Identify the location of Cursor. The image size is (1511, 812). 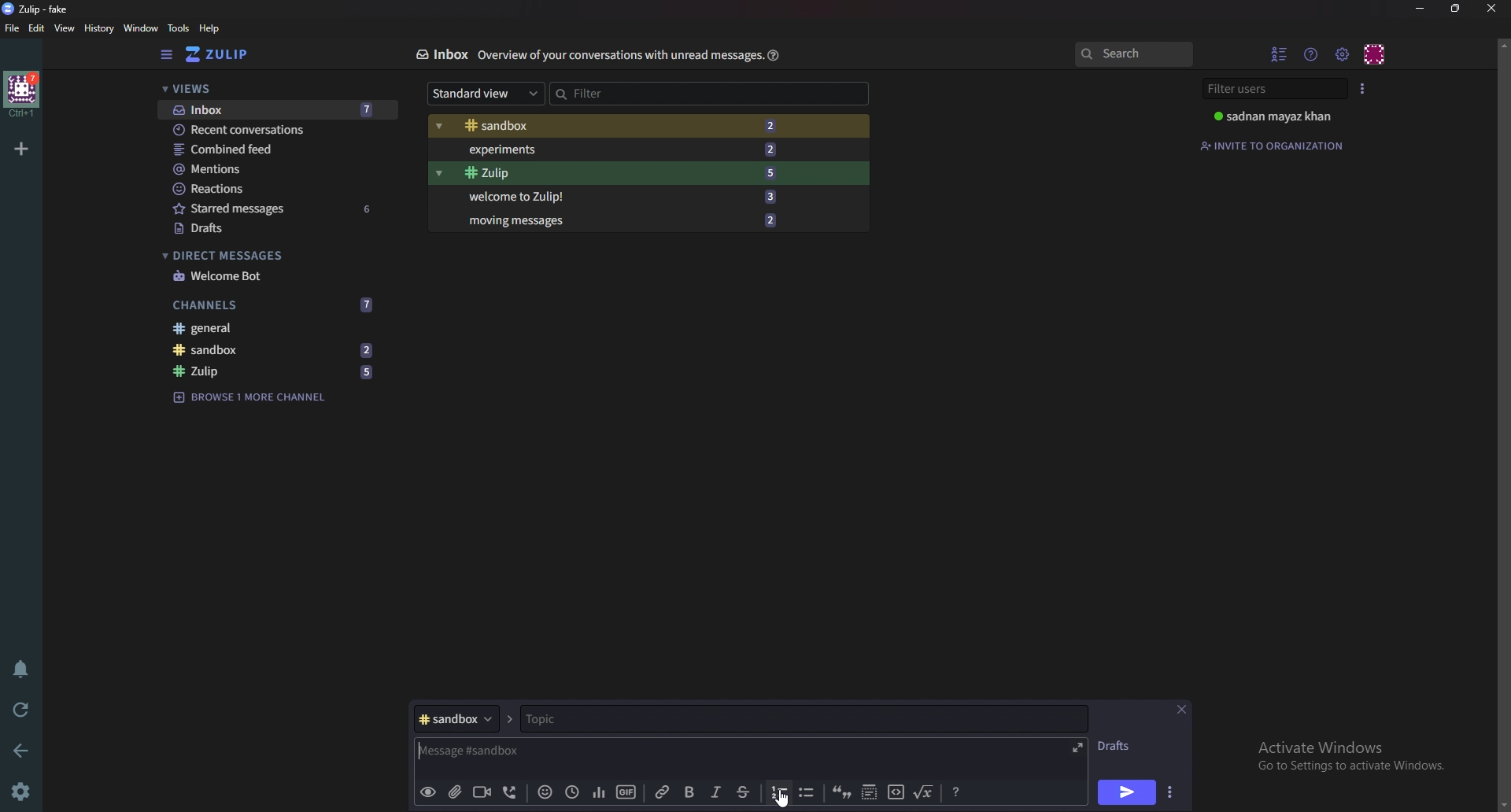
(784, 799).